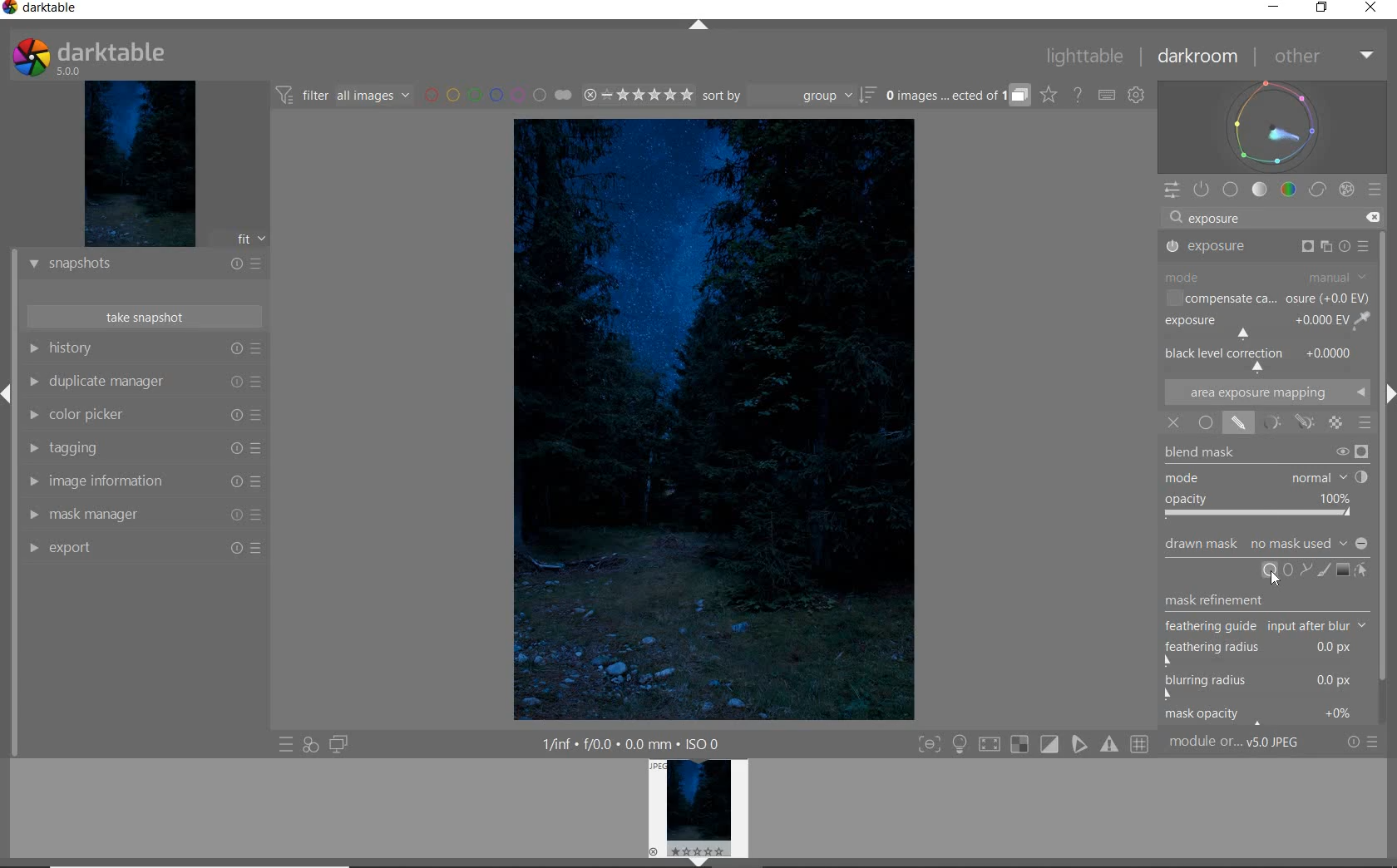  Describe the element at coordinates (1268, 481) in the screenshot. I see `BLEND MASK` at that location.